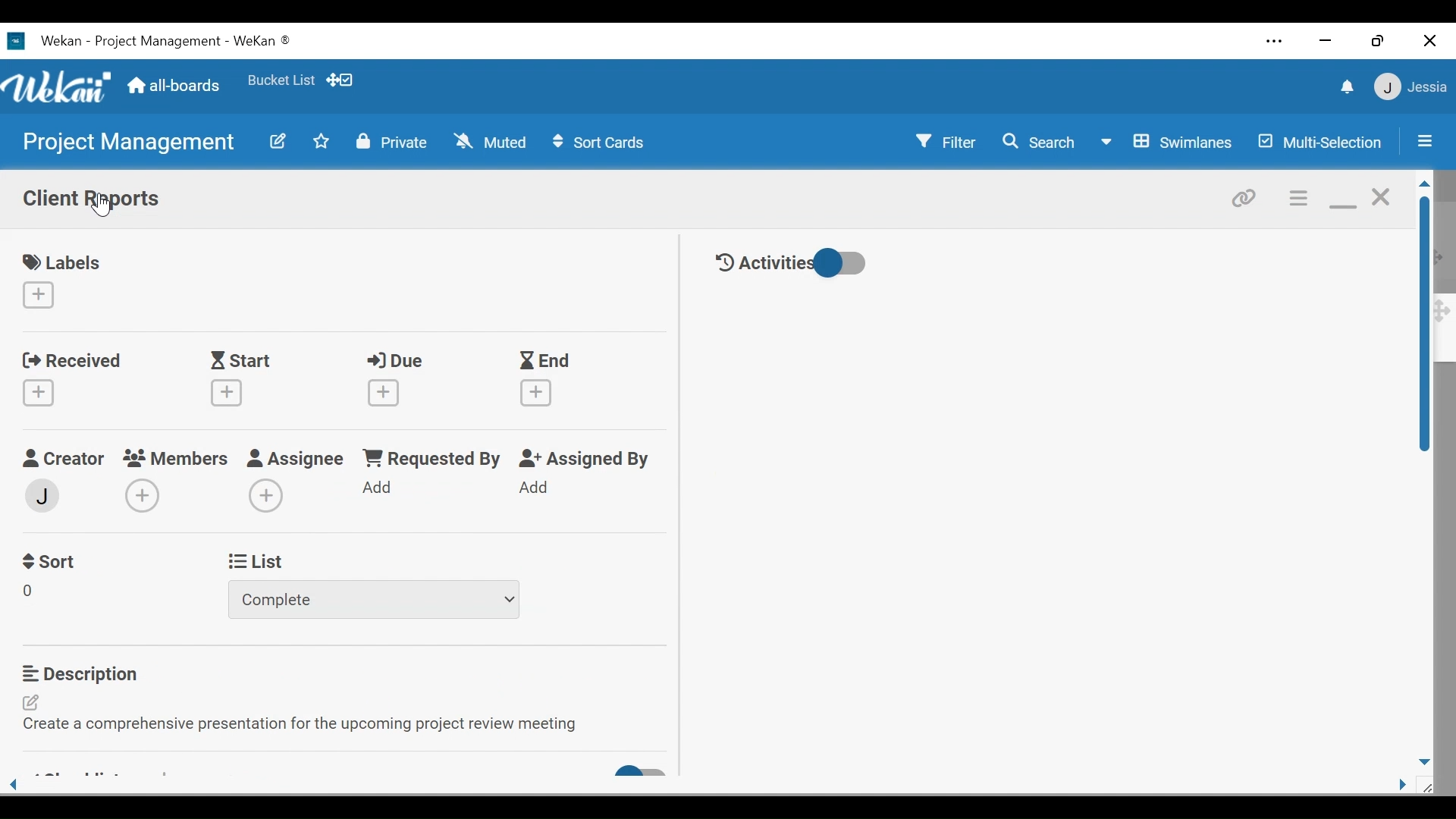  I want to click on Restore, so click(1376, 42).